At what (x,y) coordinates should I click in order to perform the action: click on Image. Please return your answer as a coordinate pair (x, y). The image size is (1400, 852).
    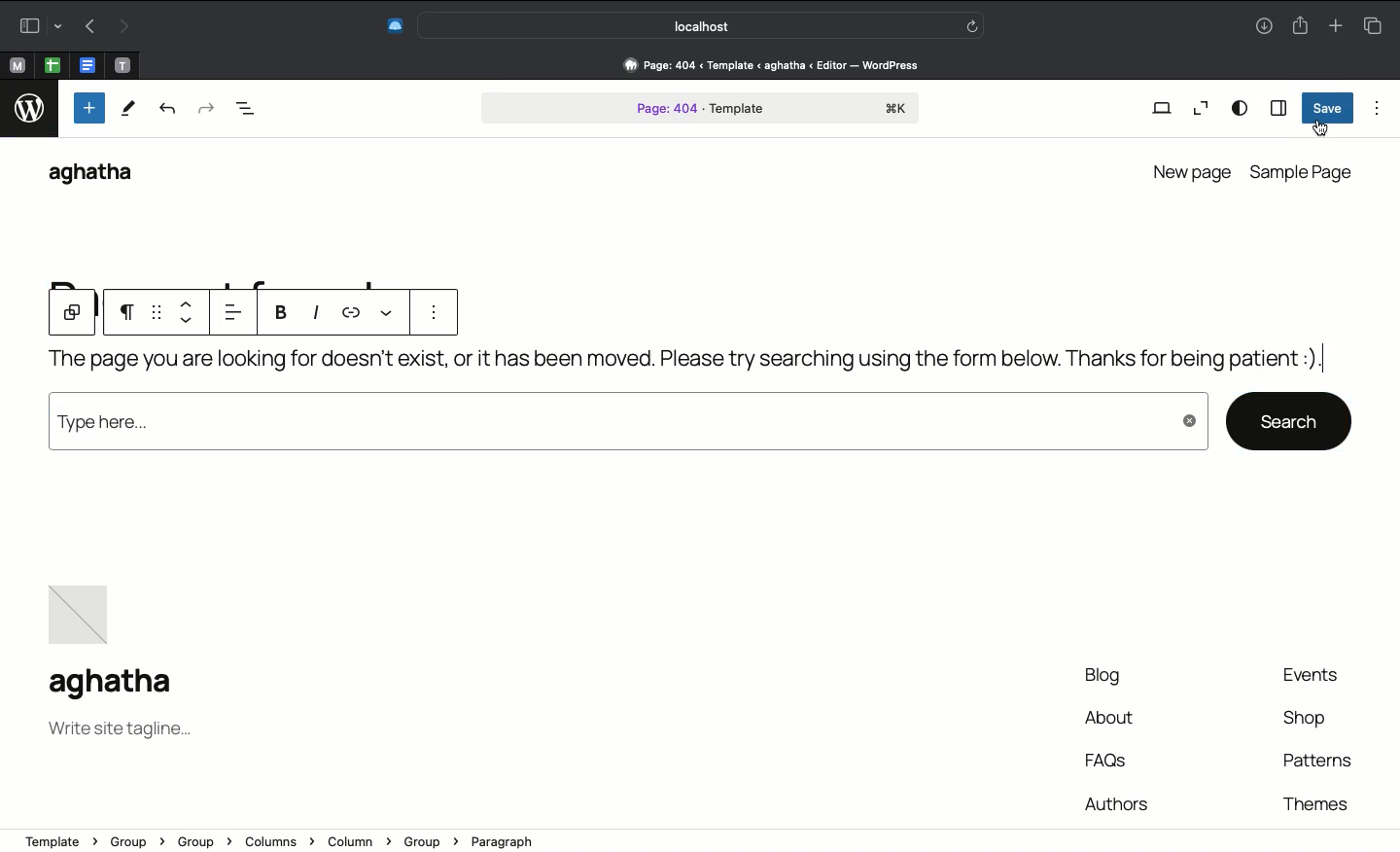
    Looking at the image, I should click on (84, 609).